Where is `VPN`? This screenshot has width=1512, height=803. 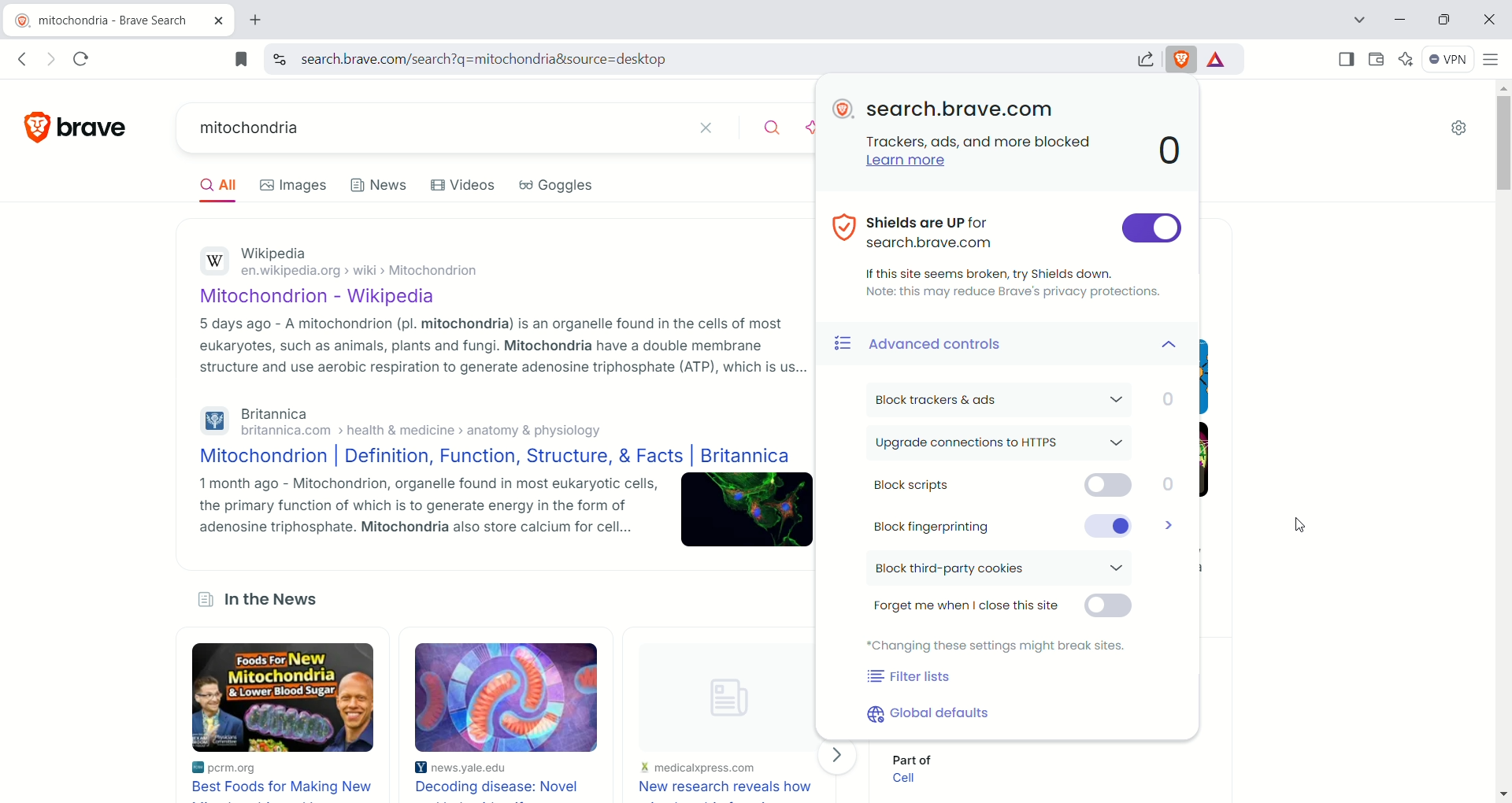 VPN is located at coordinates (1449, 61).